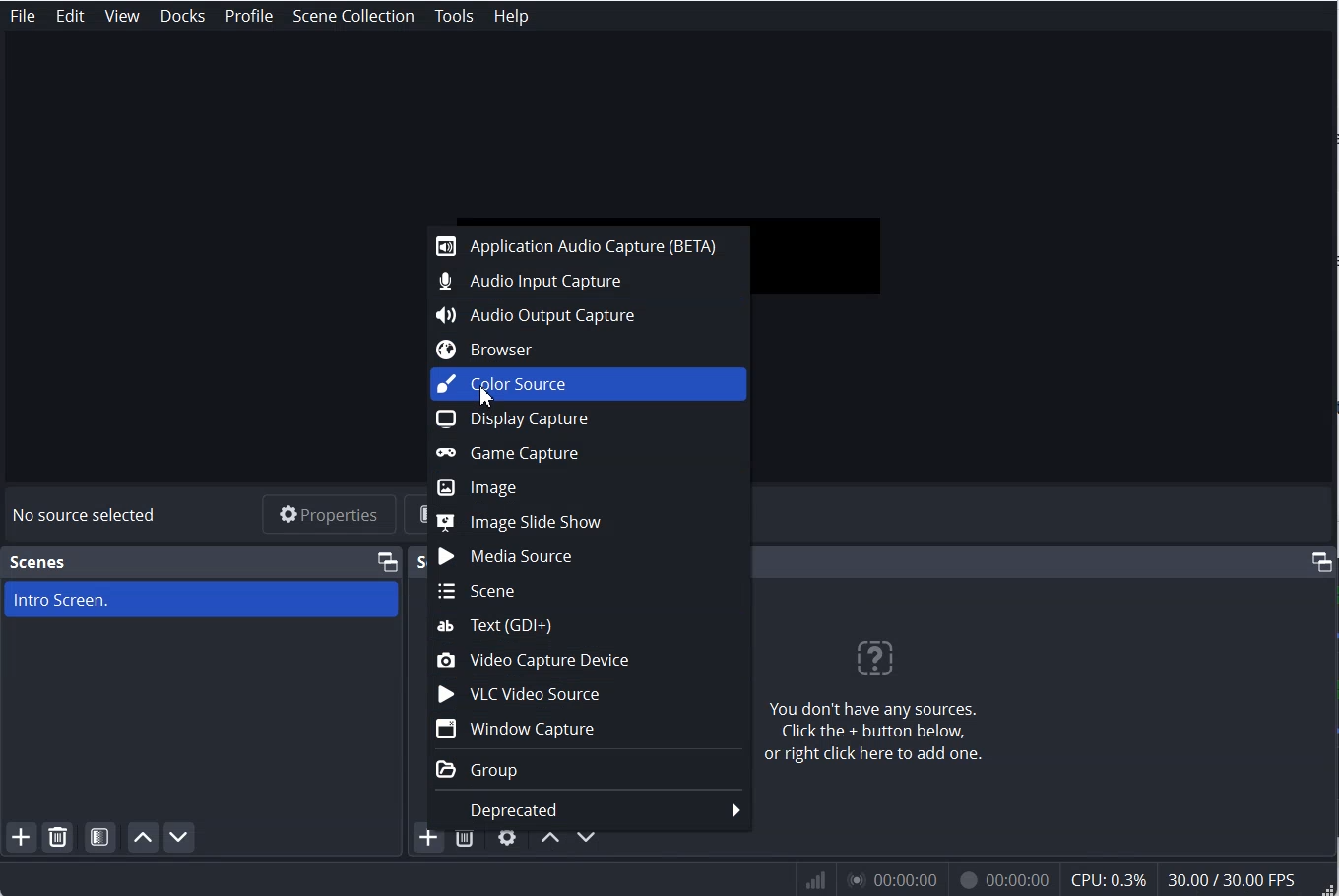  Describe the element at coordinates (589, 386) in the screenshot. I see `Color Source` at that location.